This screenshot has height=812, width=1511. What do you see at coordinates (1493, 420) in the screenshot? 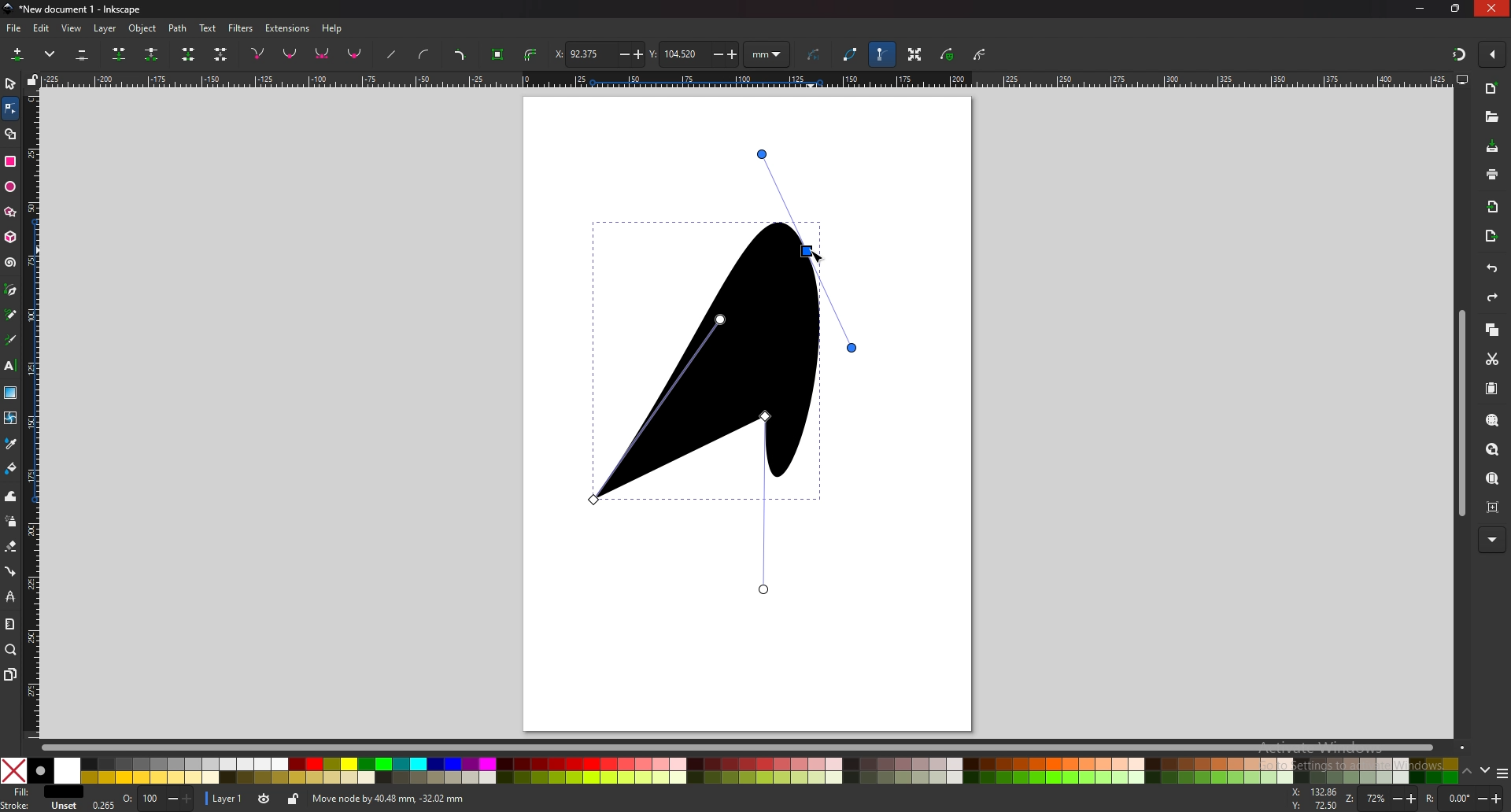
I see `zoom selection` at bounding box center [1493, 420].